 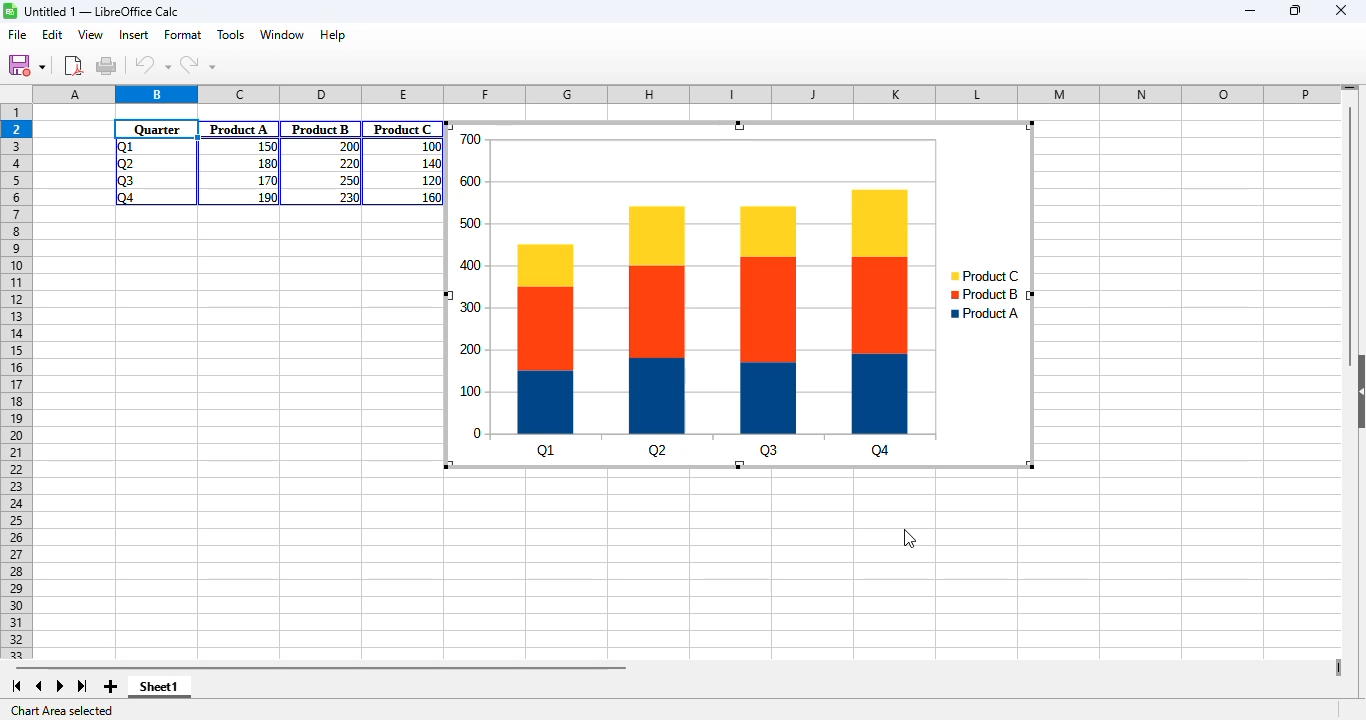 What do you see at coordinates (39, 686) in the screenshot?
I see `scroll to previous sheet` at bounding box center [39, 686].